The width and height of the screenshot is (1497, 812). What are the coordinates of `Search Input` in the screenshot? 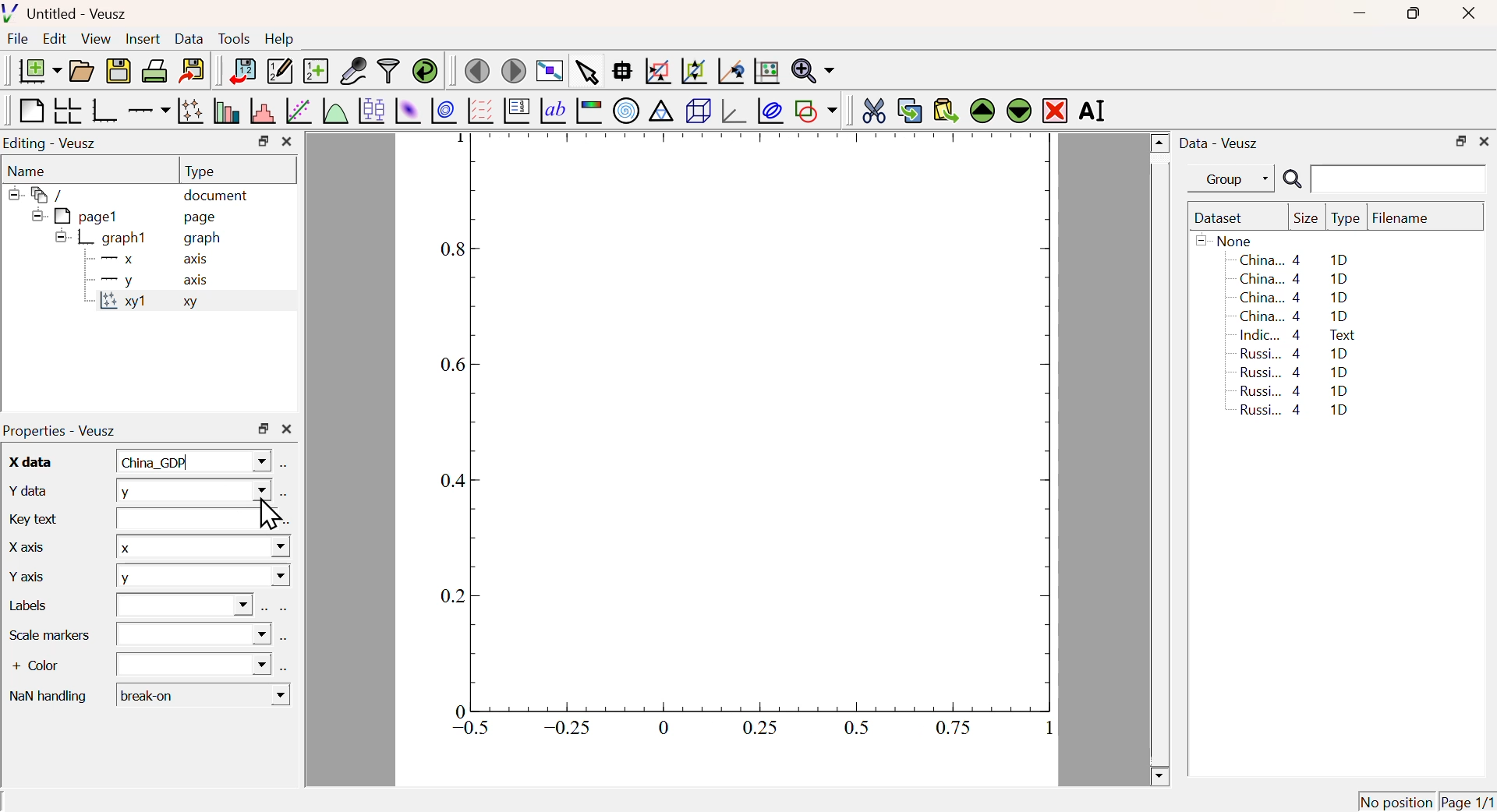 It's located at (1400, 178).